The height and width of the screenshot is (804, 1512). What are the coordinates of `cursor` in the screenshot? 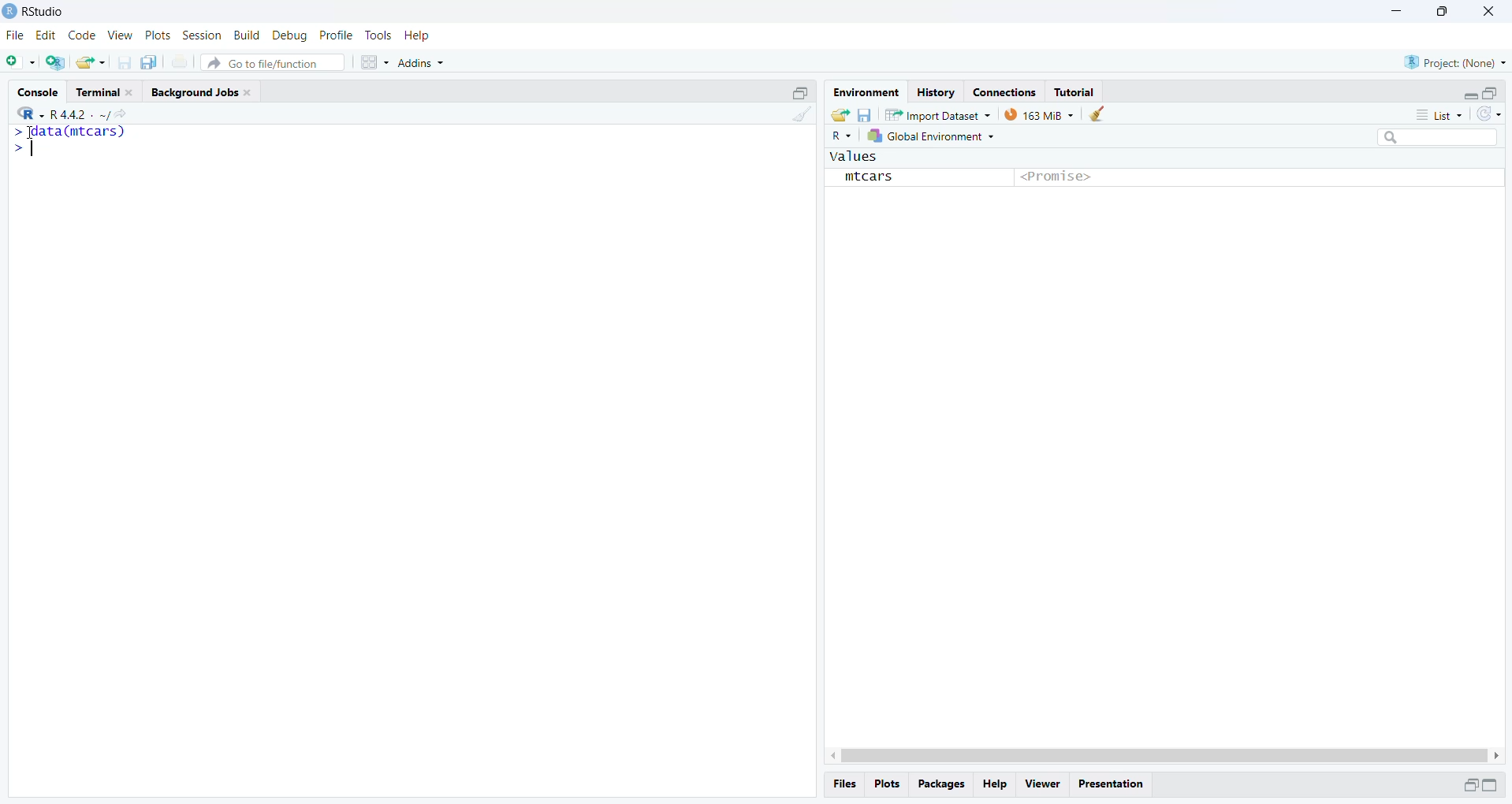 It's located at (32, 132).